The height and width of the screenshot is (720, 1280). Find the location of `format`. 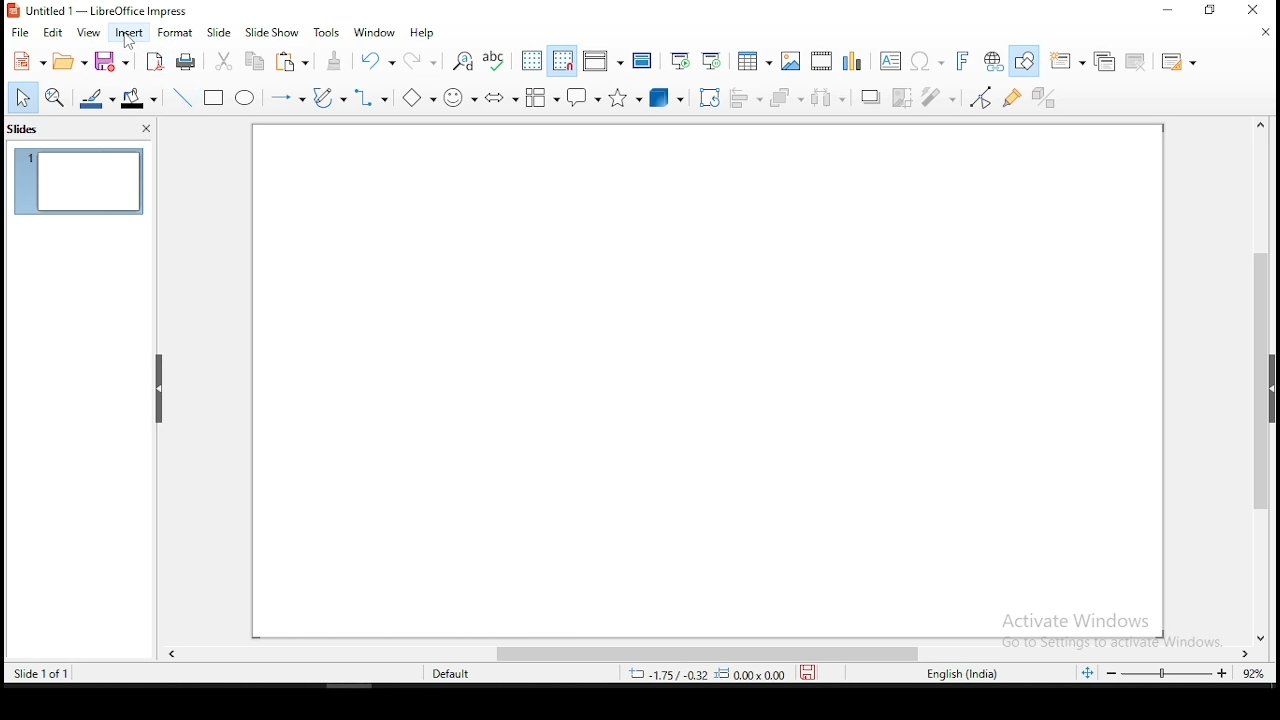

format is located at coordinates (176, 35).